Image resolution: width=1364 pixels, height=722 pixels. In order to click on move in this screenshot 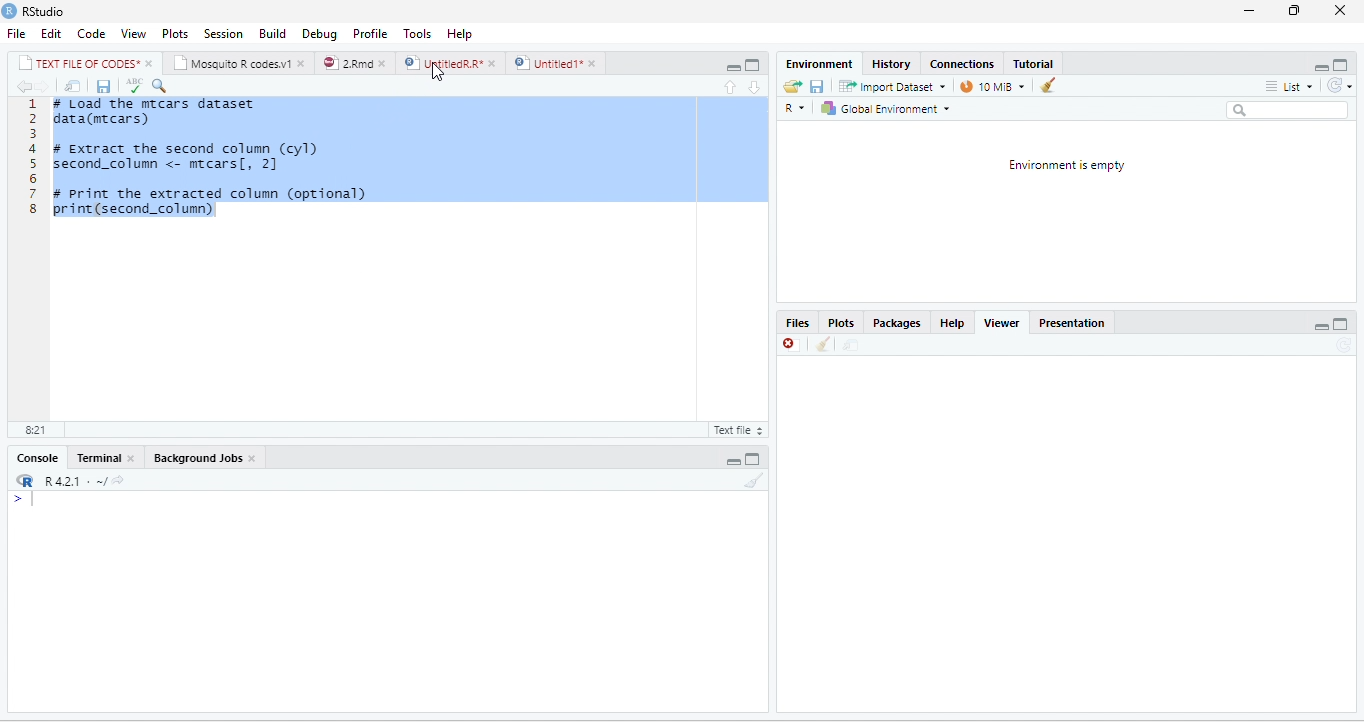, I will do `click(73, 86)`.